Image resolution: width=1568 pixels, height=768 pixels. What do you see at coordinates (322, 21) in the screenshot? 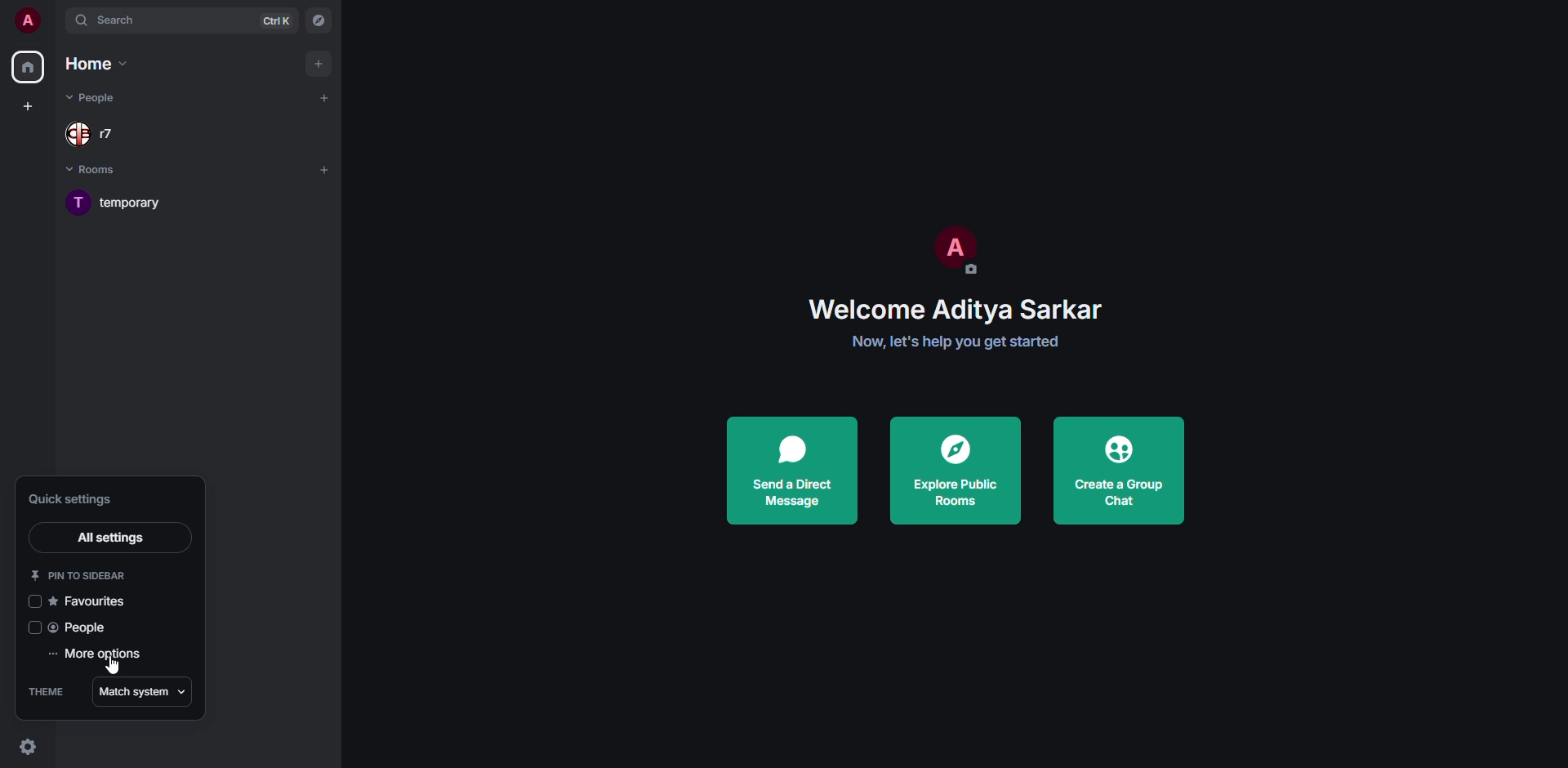
I see `navigator` at bounding box center [322, 21].